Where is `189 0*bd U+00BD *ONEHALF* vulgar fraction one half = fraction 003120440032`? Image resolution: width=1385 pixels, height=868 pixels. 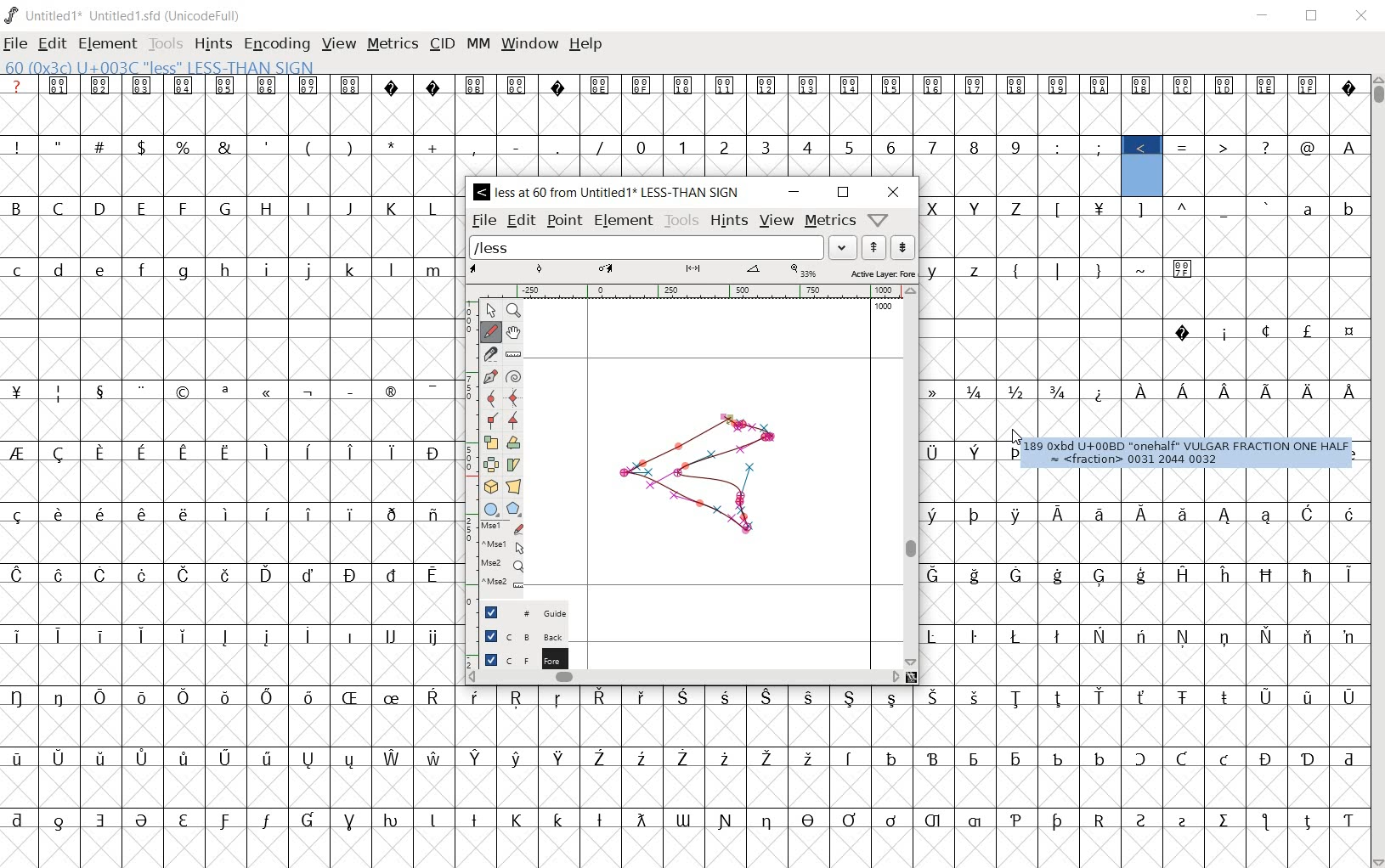
189 0*bd U+00BD *ONEHALF* vulgar fraction one half = fraction 003120440032 is located at coordinates (1186, 454).